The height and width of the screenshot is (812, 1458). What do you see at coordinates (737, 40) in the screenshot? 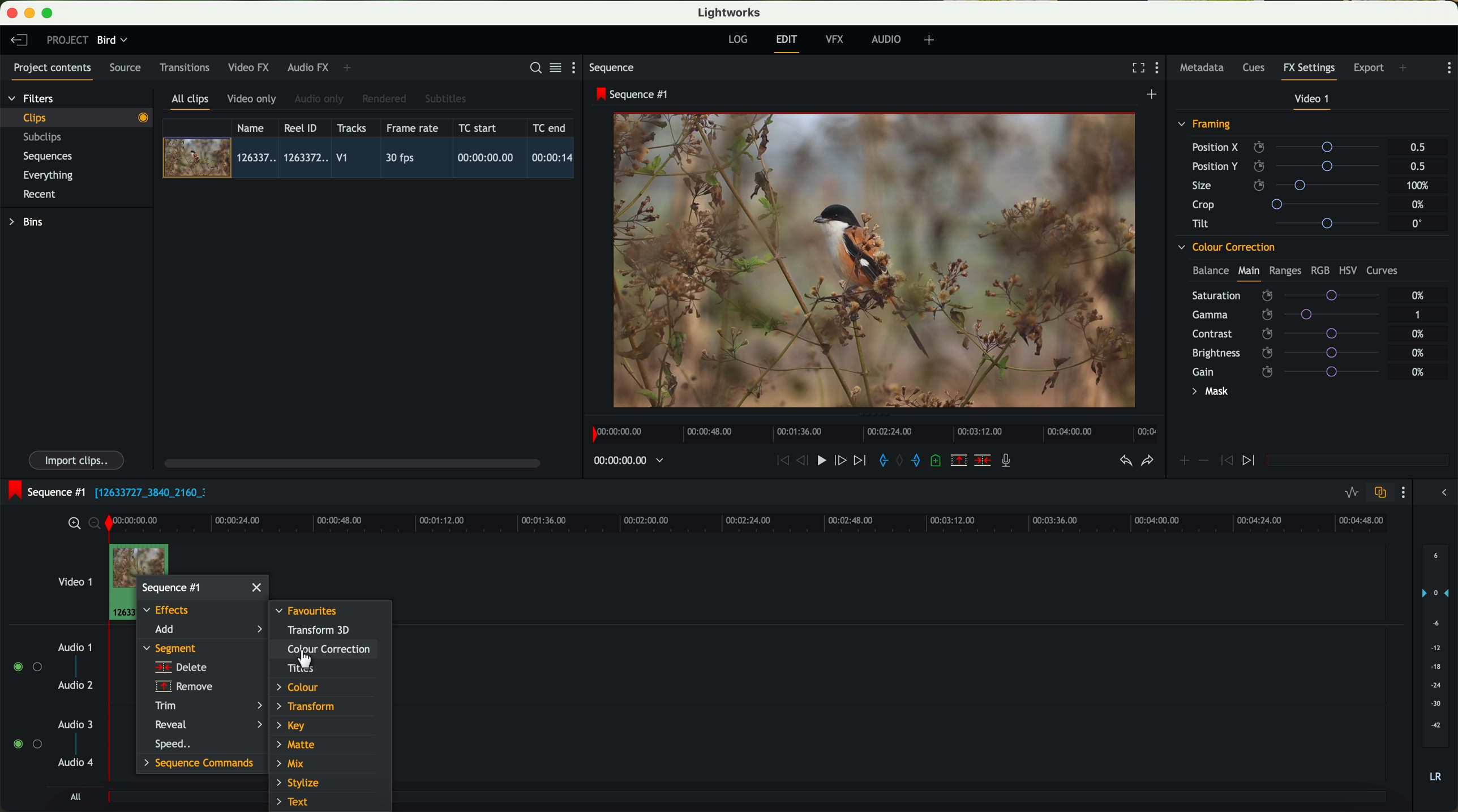
I see `log` at bounding box center [737, 40].